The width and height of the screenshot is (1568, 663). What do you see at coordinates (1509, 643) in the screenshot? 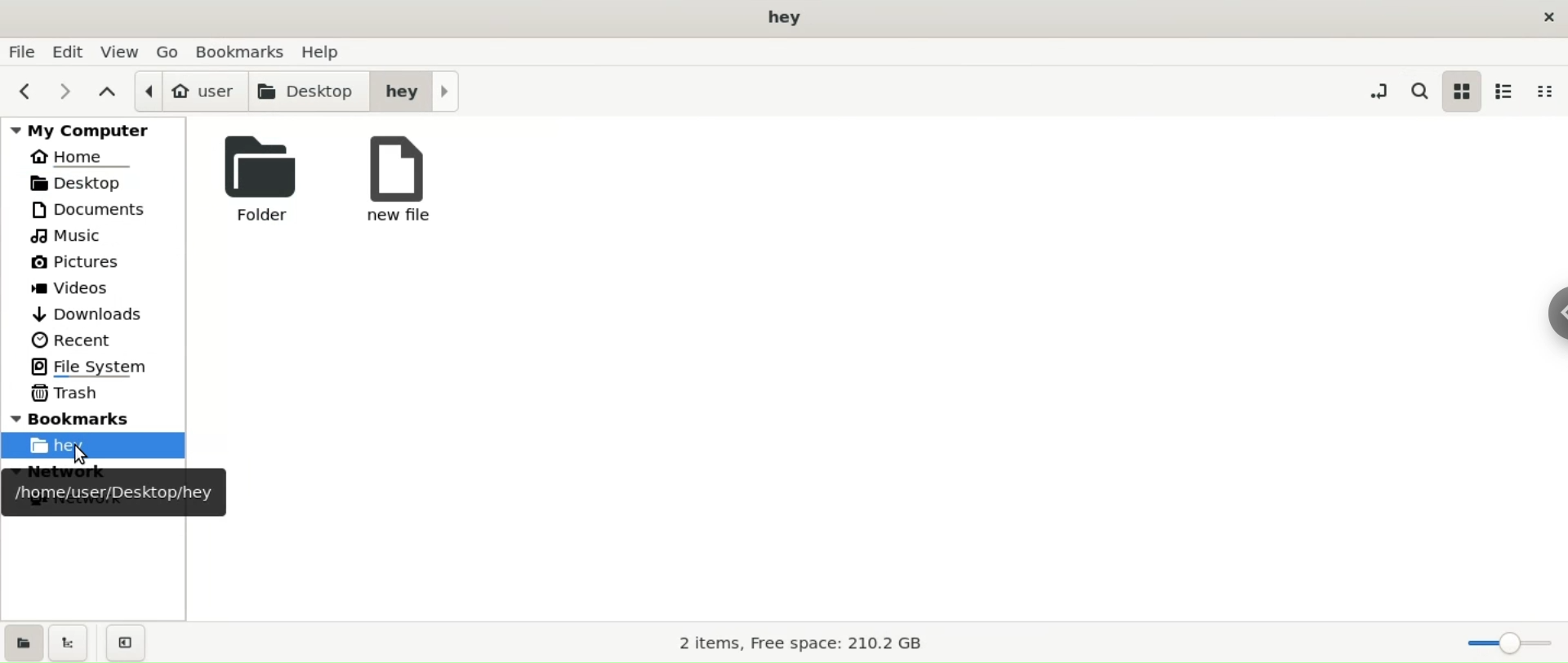
I see `zoom` at bounding box center [1509, 643].